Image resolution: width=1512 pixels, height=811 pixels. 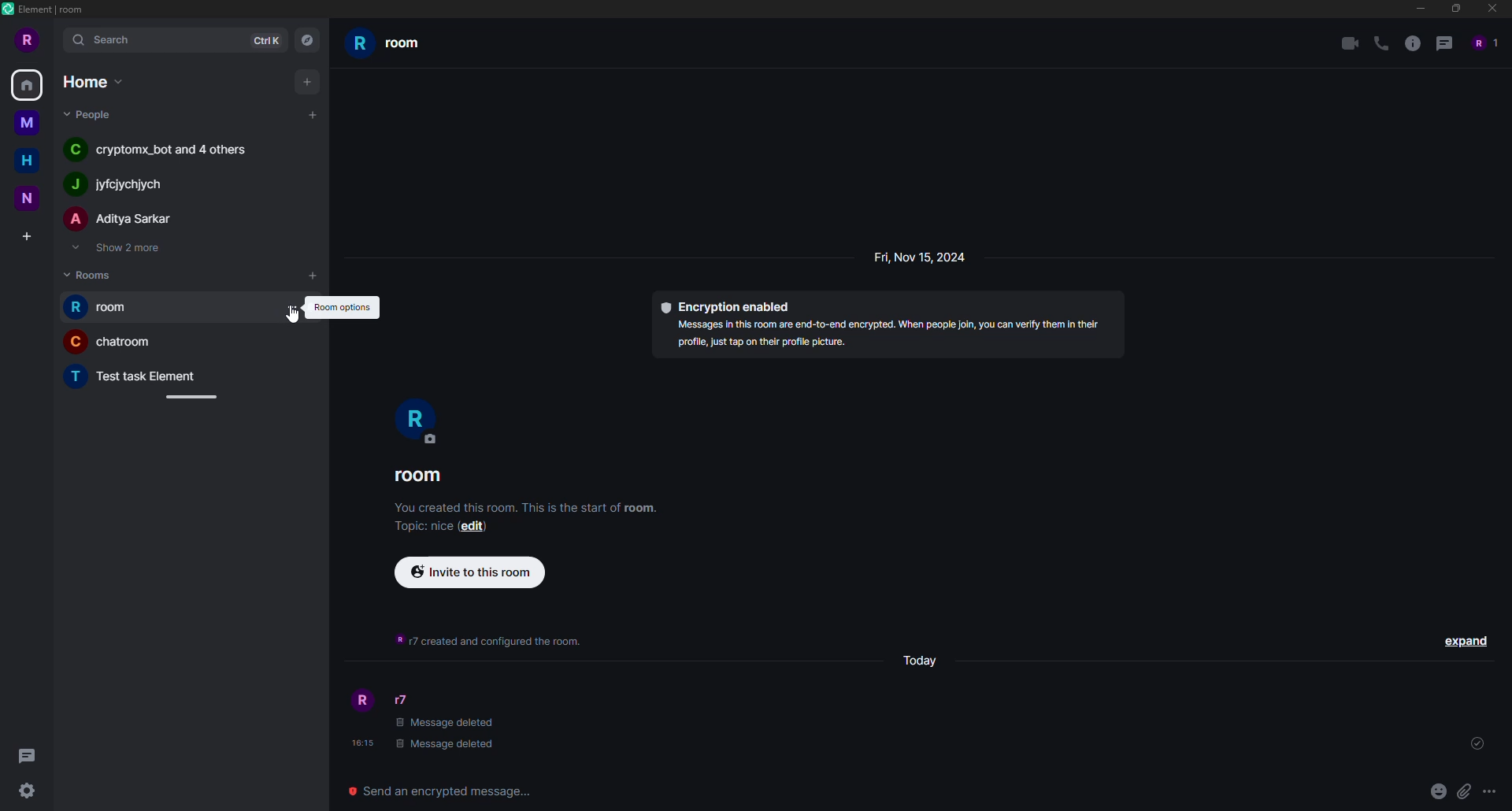 What do you see at coordinates (361, 700) in the screenshot?
I see `profile` at bounding box center [361, 700].